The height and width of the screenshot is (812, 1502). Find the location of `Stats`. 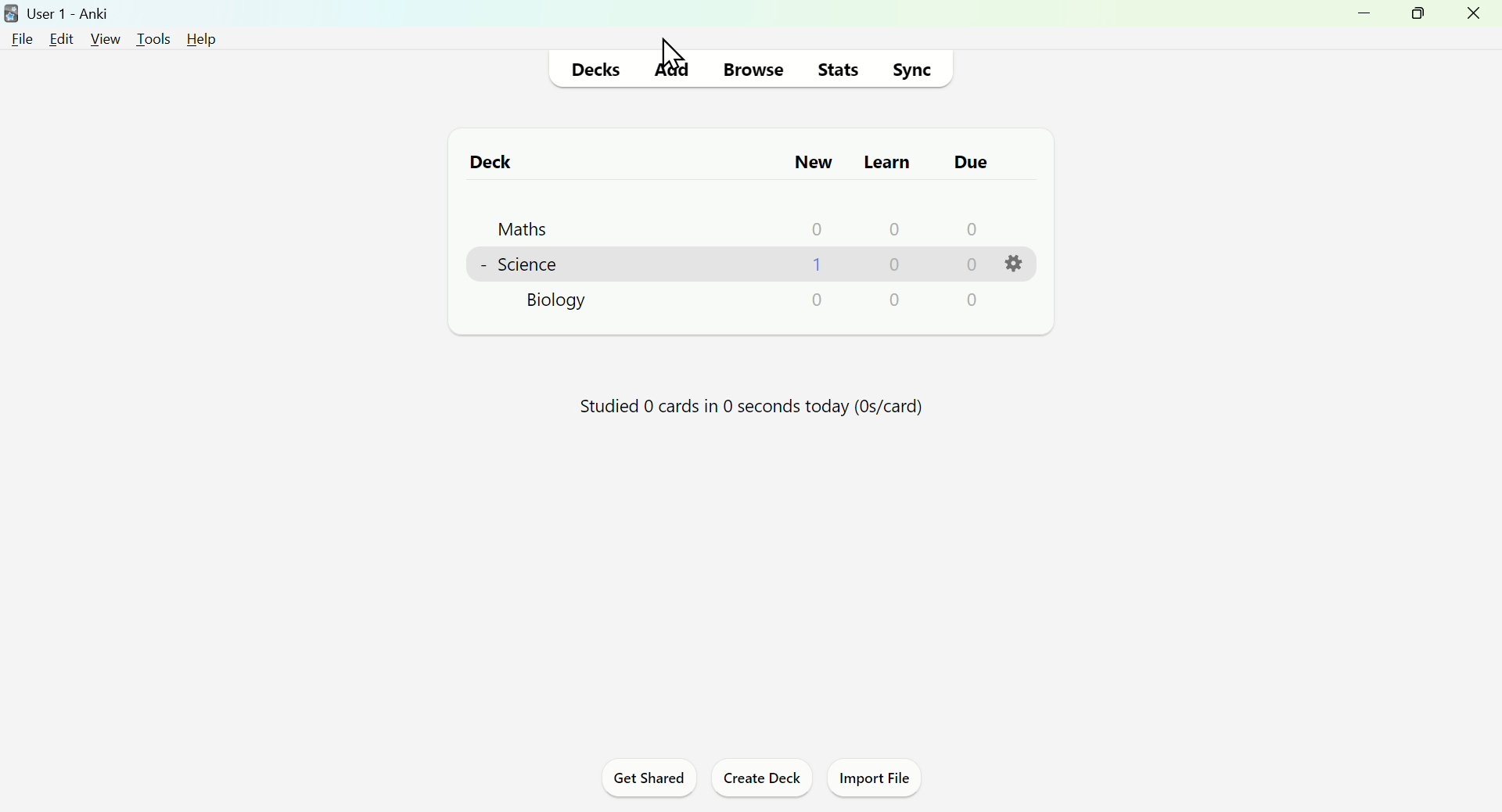

Stats is located at coordinates (835, 68).